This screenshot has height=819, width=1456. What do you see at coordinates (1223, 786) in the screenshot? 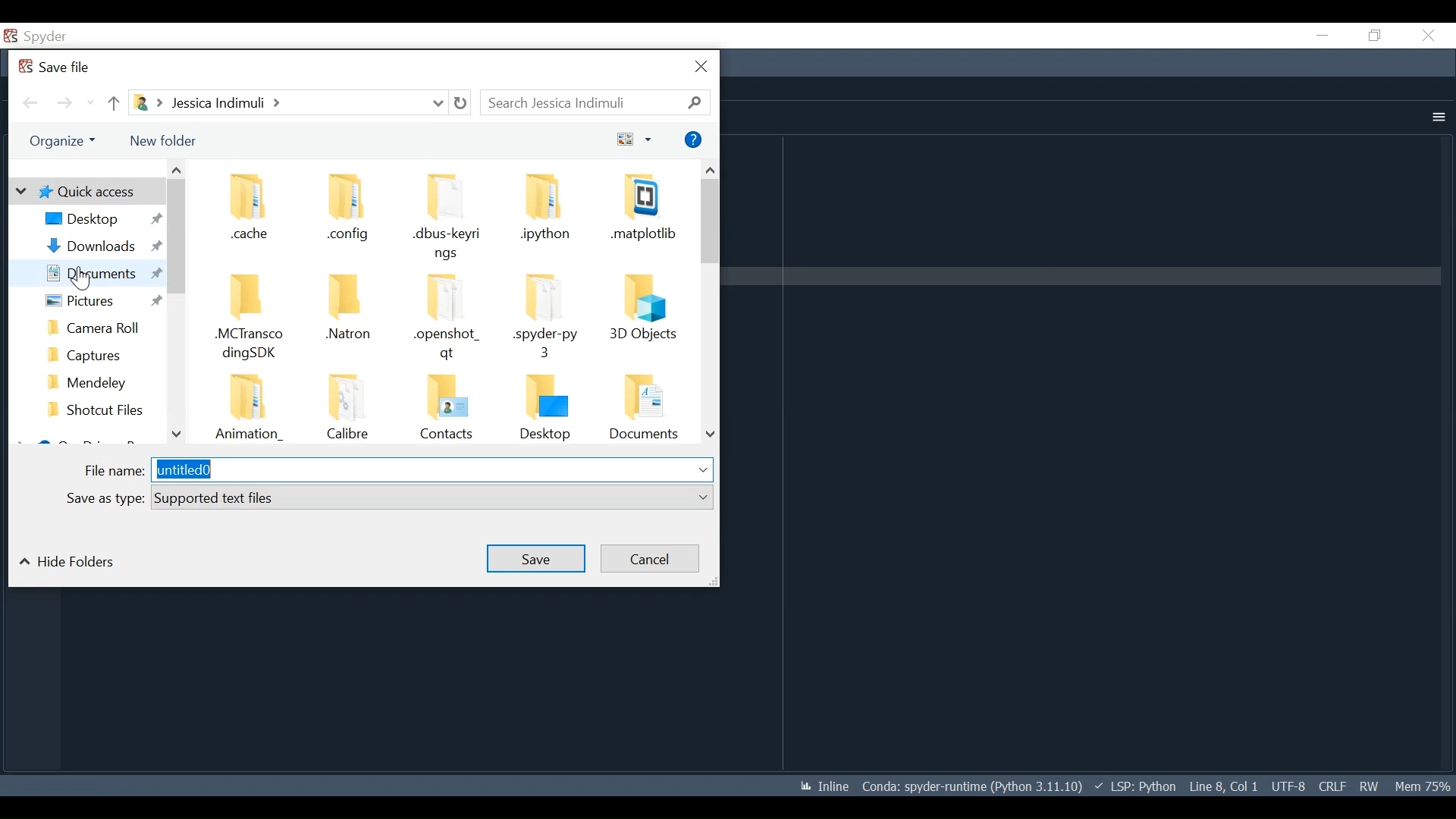
I see `Cursor Position` at bounding box center [1223, 786].